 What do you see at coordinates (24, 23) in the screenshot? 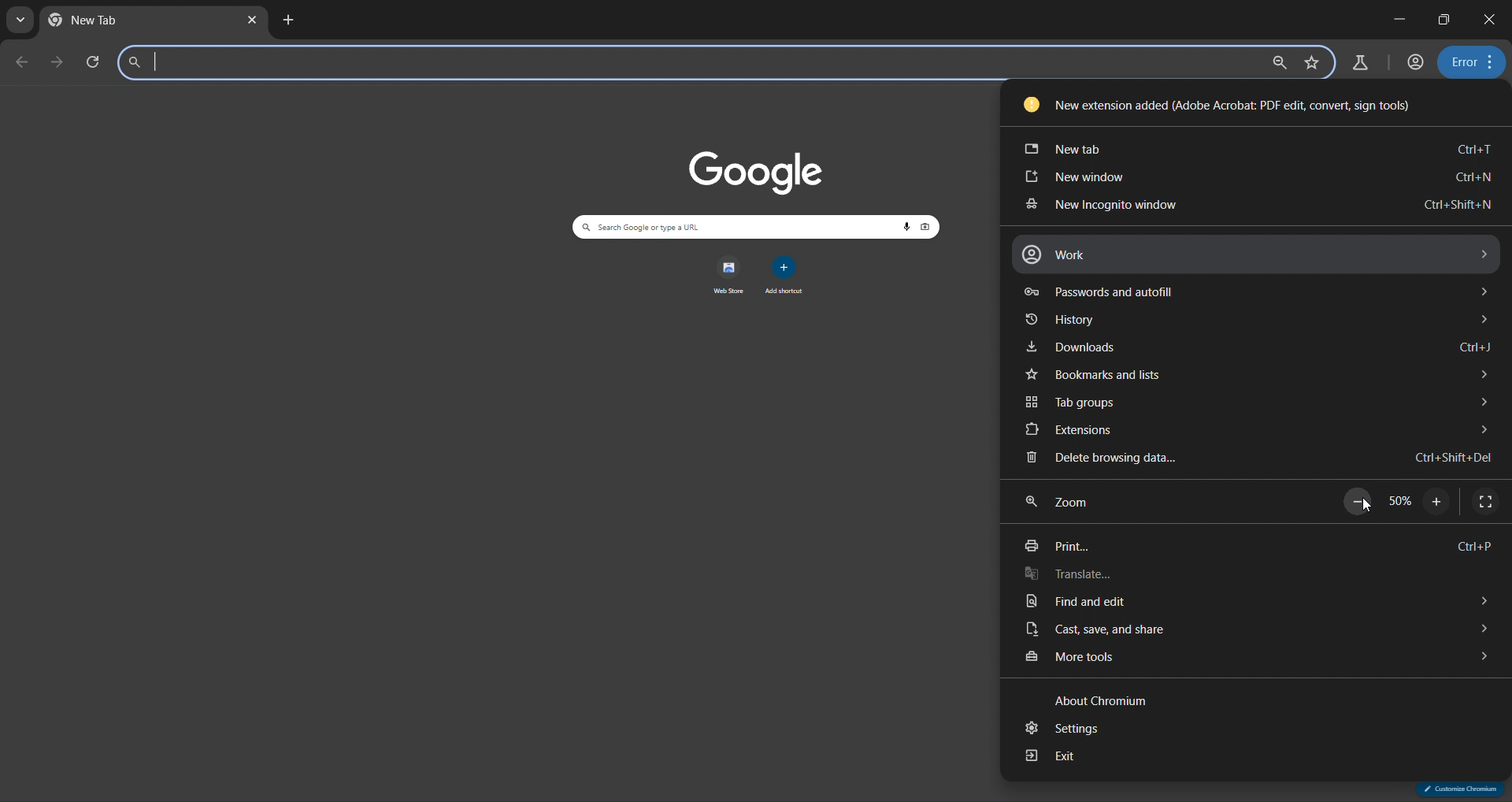
I see `search tabs` at bounding box center [24, 23].